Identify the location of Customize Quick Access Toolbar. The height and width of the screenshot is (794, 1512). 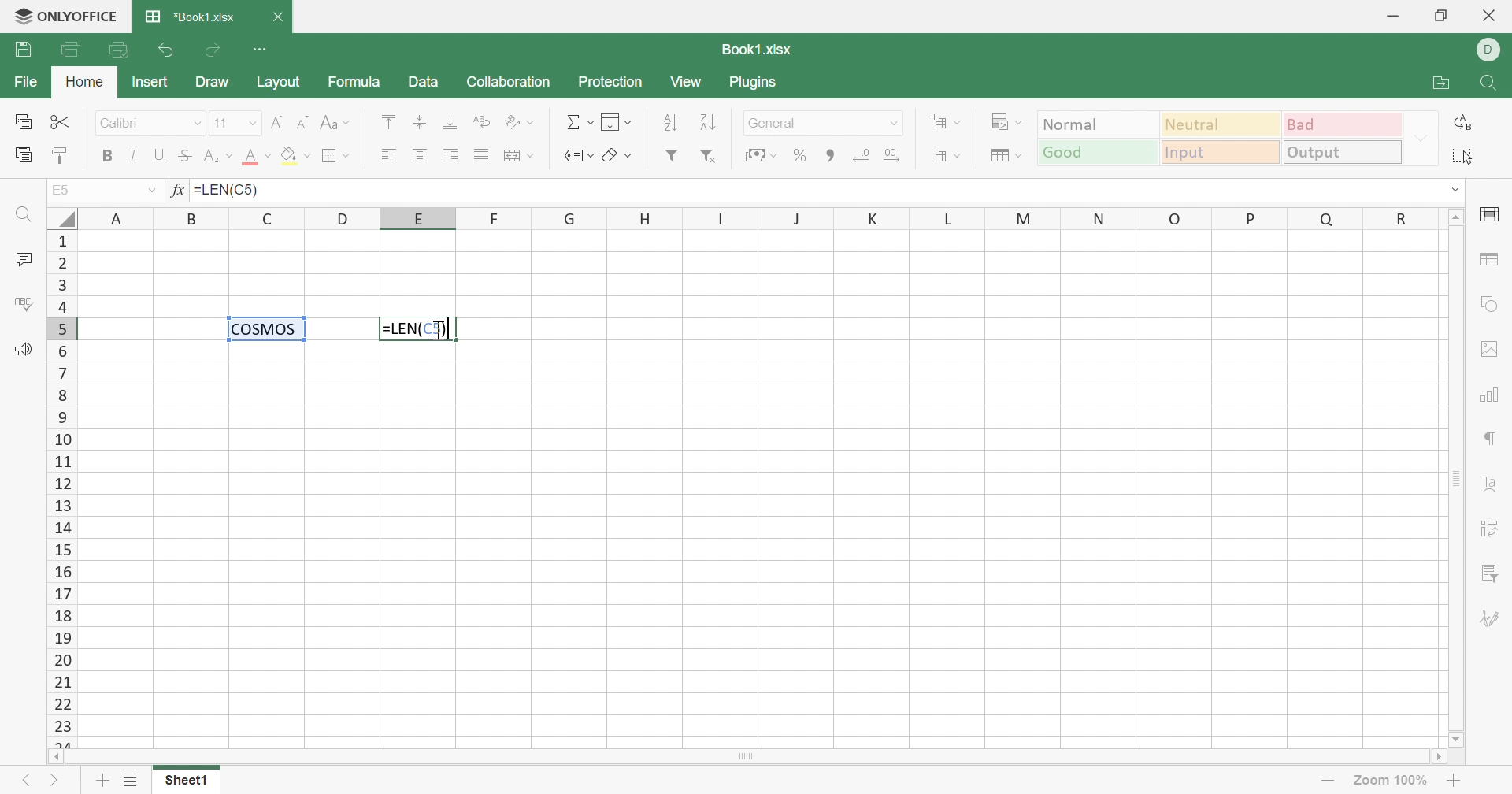
(260, 50).